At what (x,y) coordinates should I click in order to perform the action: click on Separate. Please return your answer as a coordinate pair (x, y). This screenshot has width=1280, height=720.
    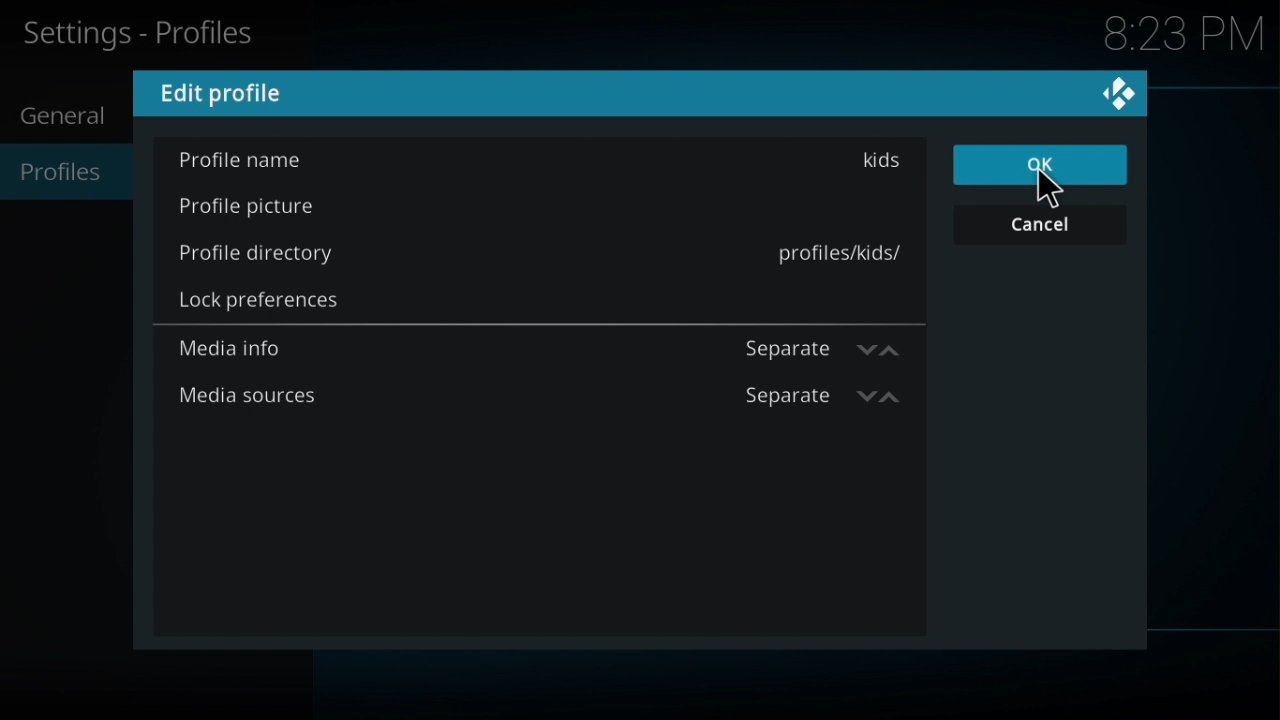
    Looking at the image, I should click on (818, 399).